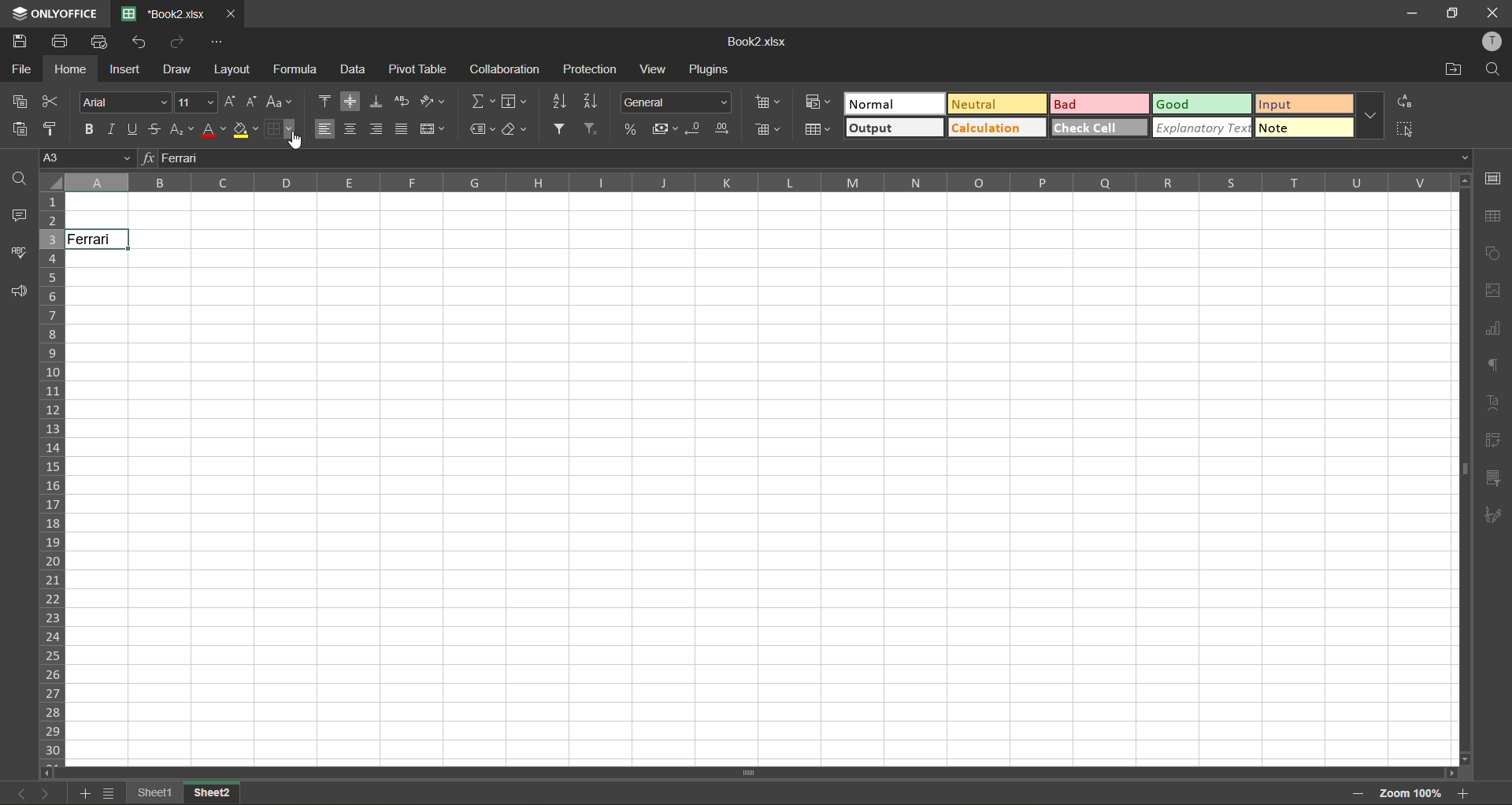 The width and height of the screenshot is (1512, 805). Describe the element at coordinates (124, 102) in the screenshot. I see `font style` at that location.